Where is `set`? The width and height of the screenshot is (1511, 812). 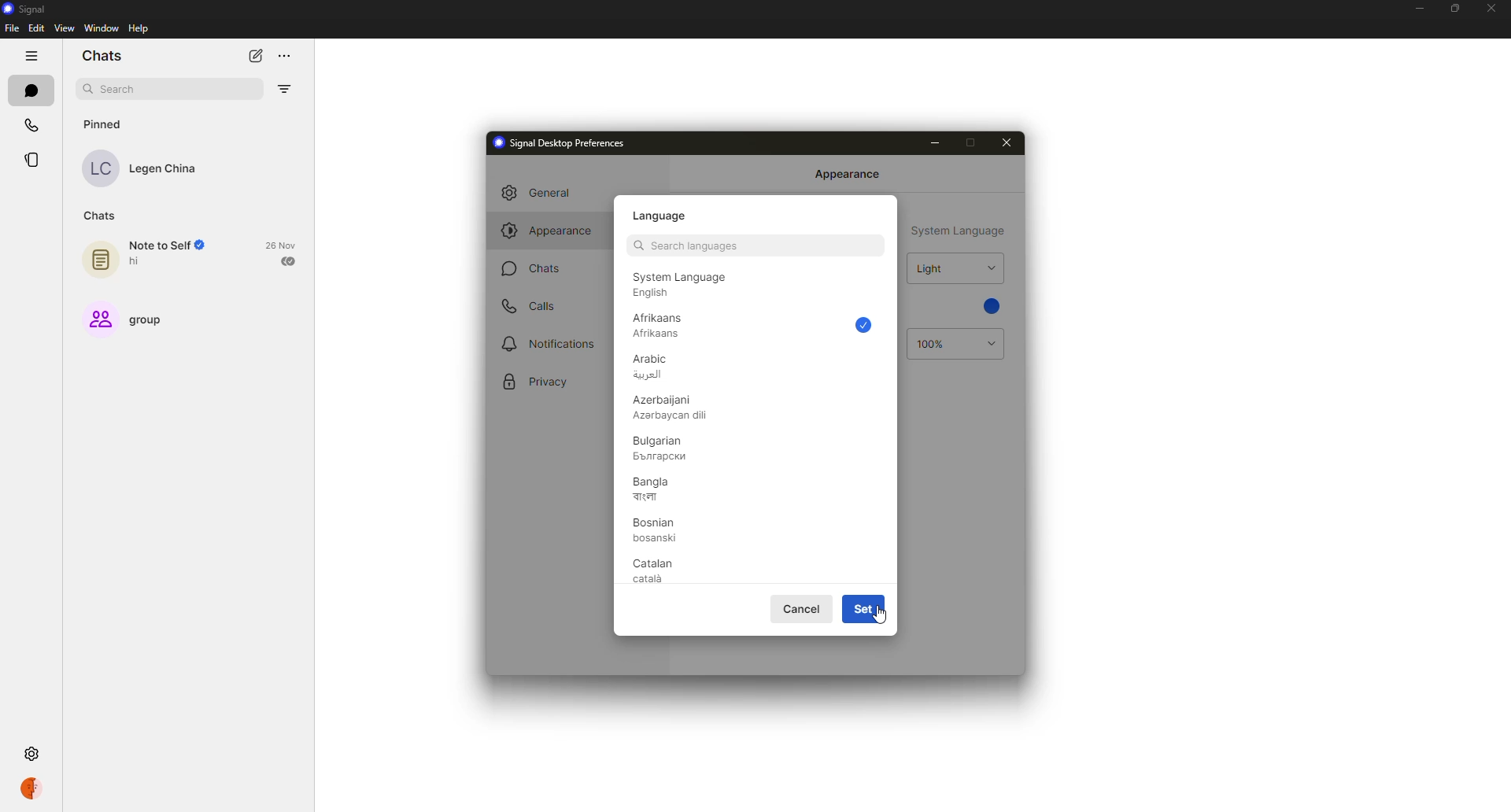 set is located at coordinates (866, 609).